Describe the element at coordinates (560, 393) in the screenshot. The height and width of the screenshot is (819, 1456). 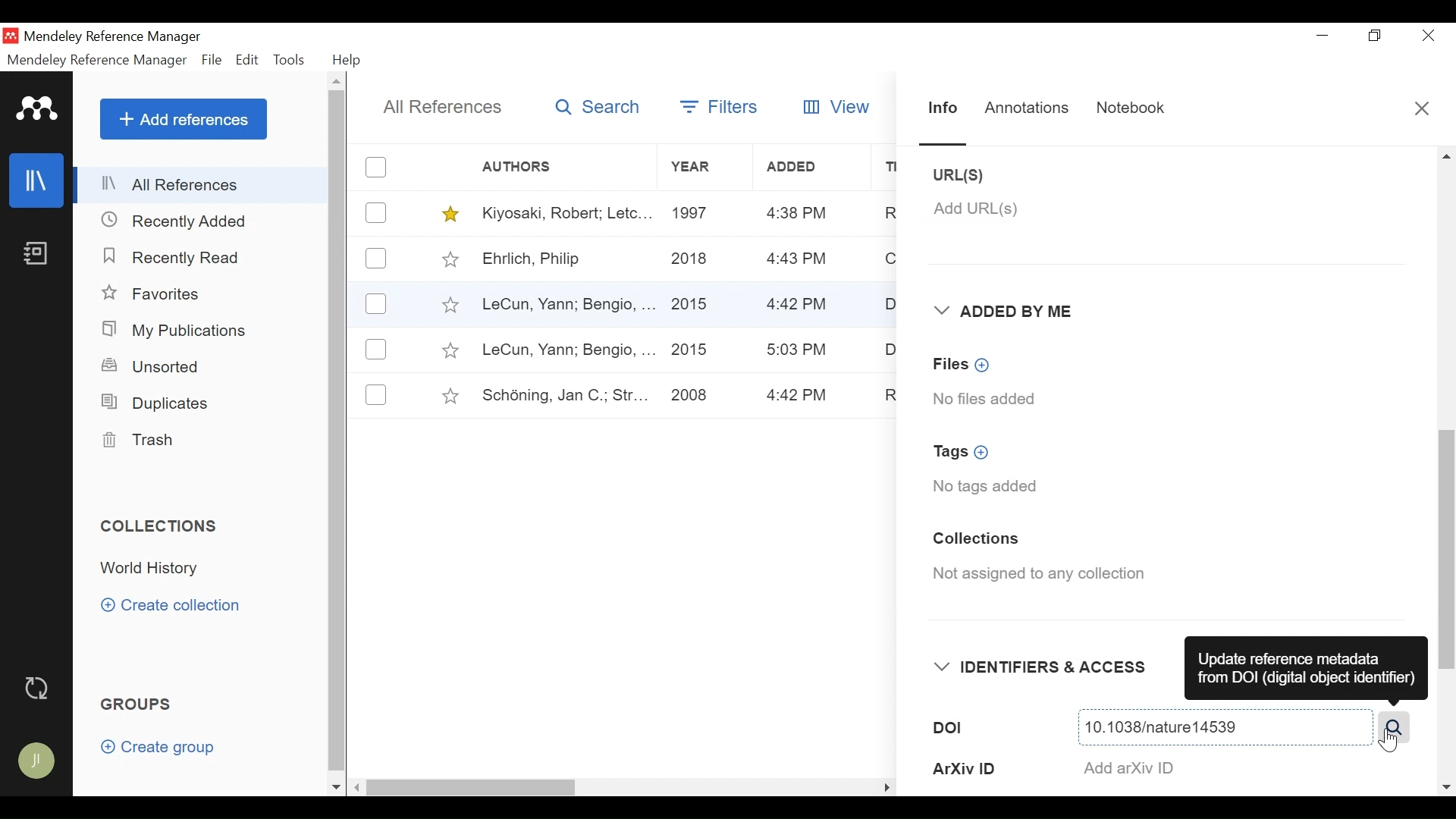
I see `Schoning, Jan C.; Str..` at that location.